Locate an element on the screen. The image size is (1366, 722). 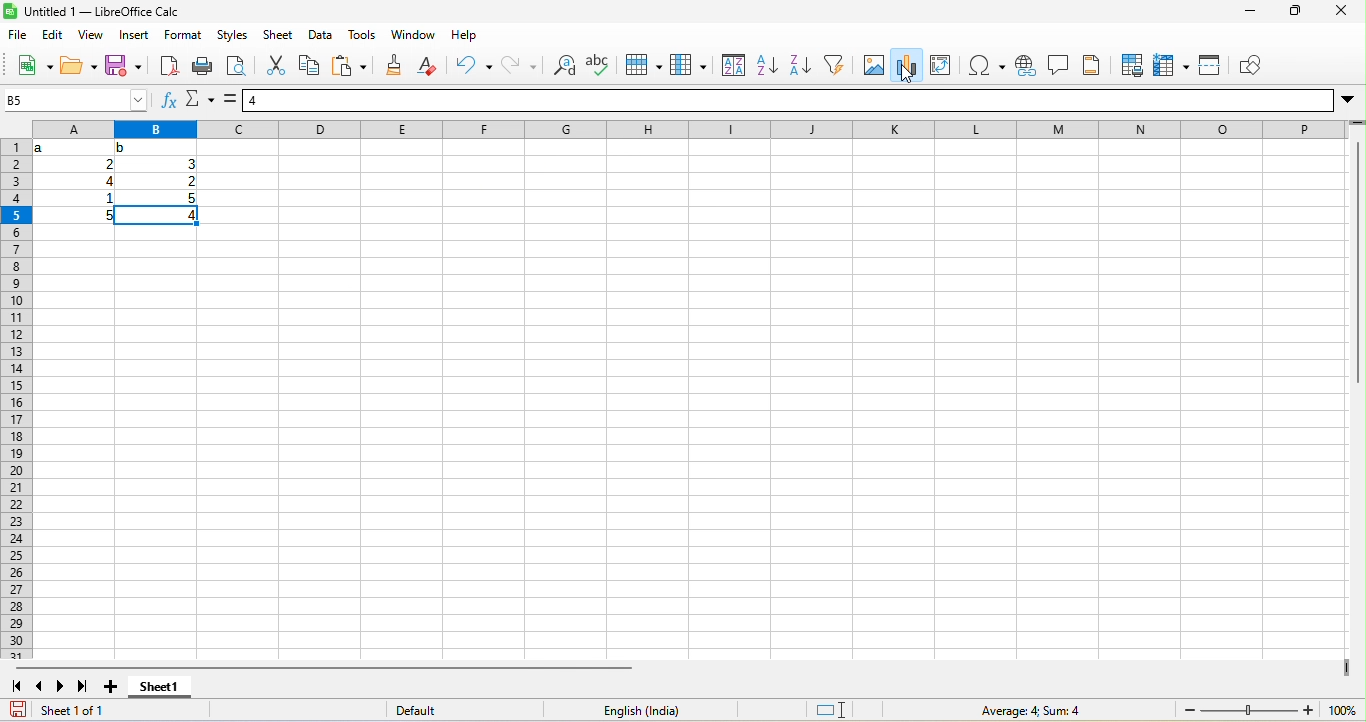
show draw function is located at coordinates (1250, 67).